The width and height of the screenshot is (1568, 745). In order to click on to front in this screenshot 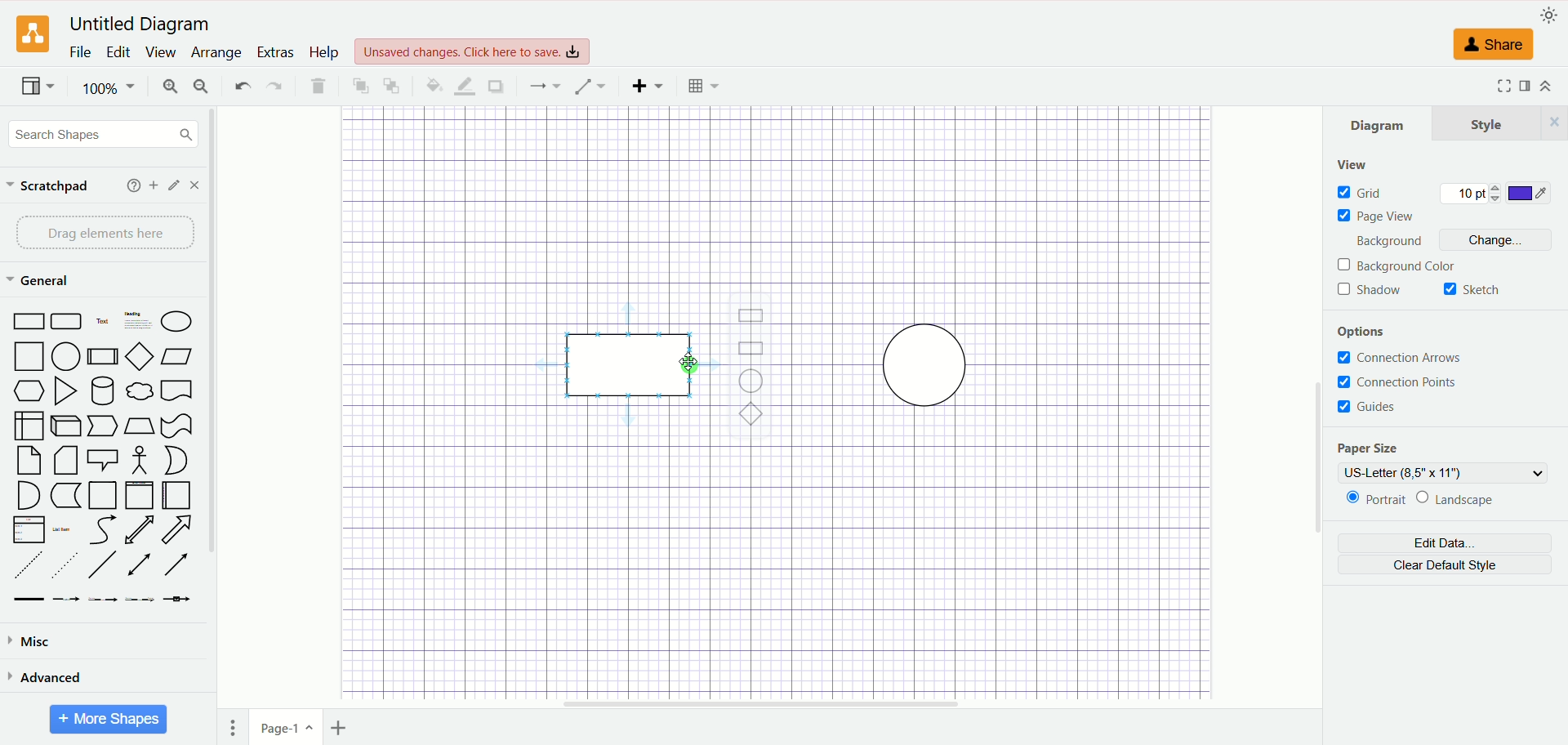, I will do `click(359, 84)`.